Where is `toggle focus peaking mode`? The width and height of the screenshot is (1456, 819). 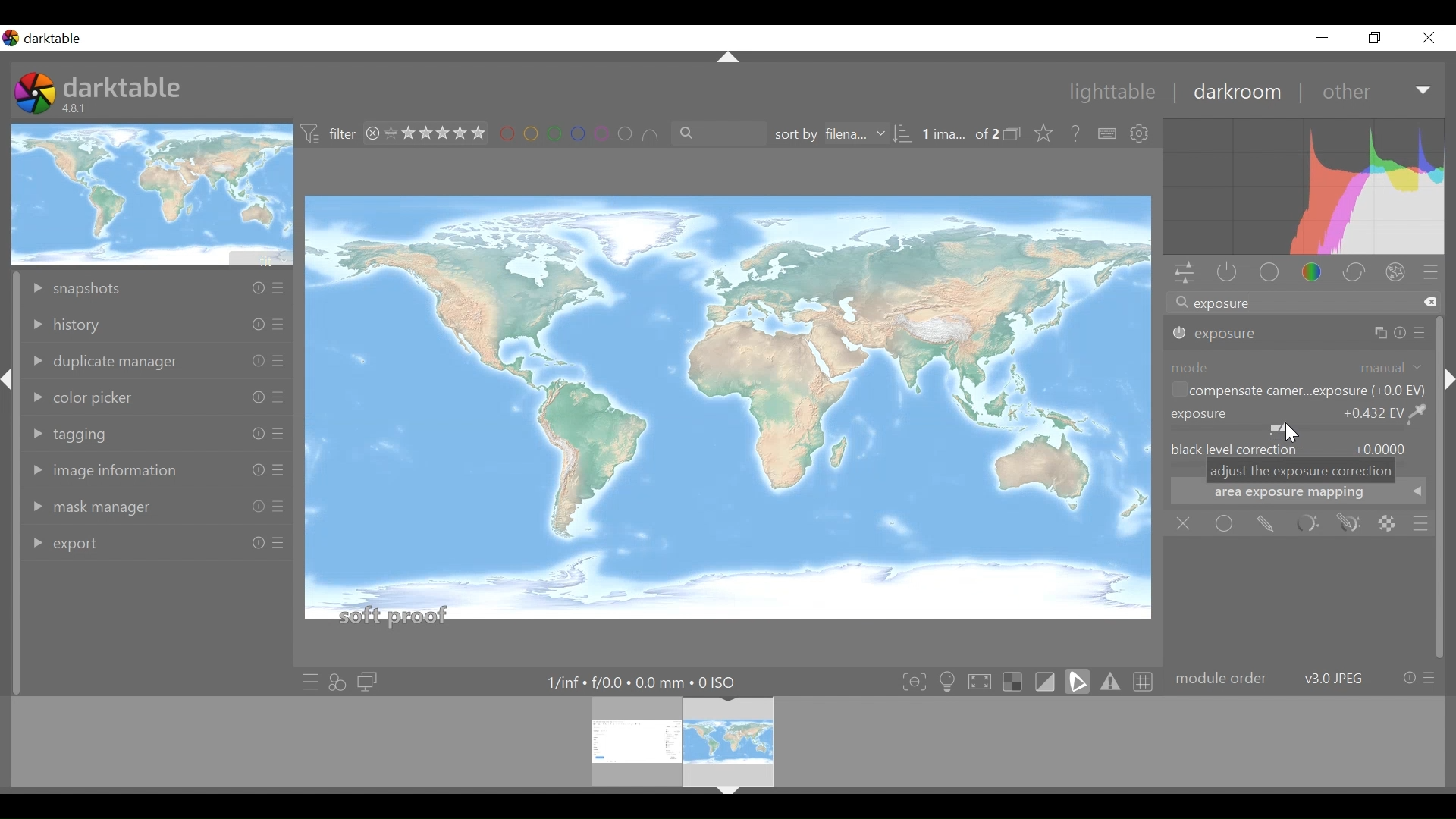 toggle focus peaking mode is located at coordinates (916, 681).